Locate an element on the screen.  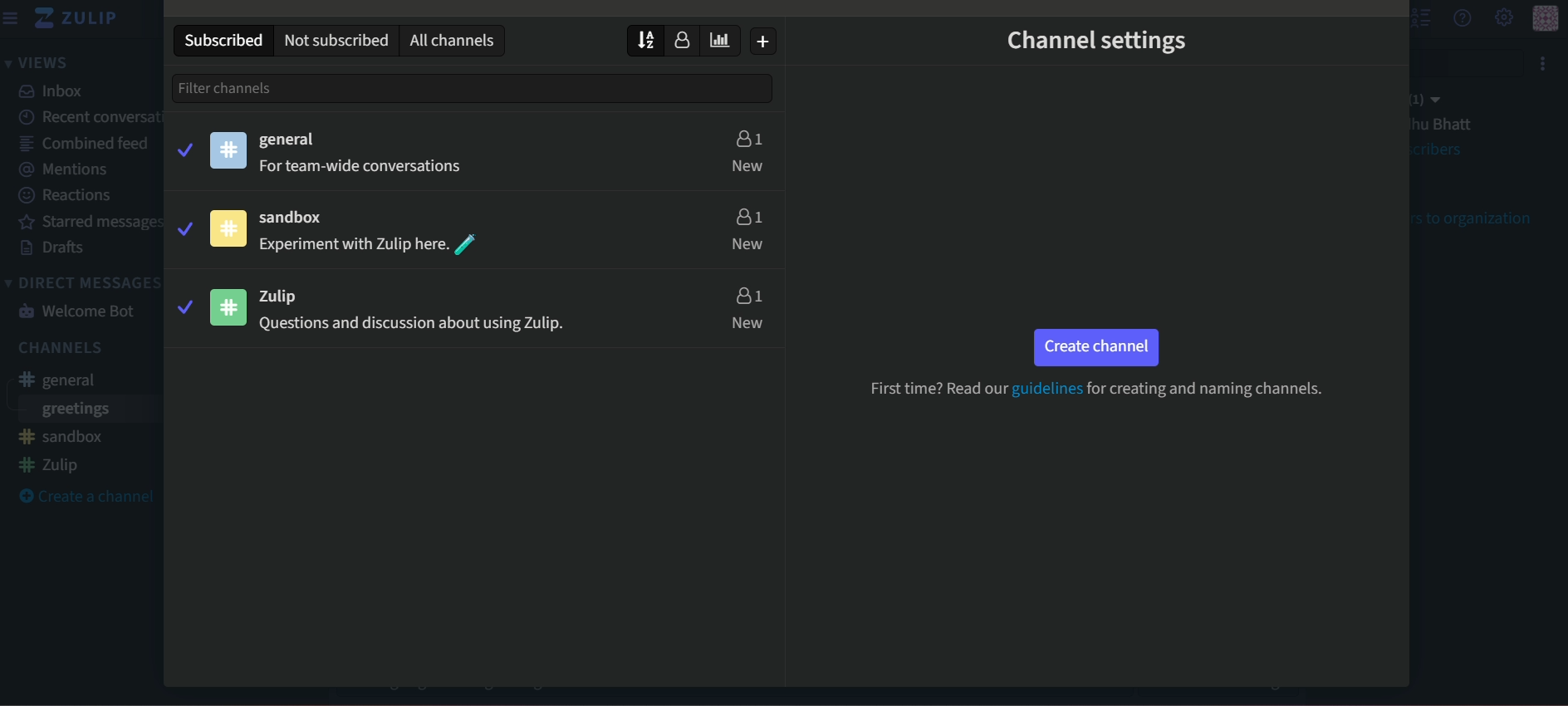
Reactions is located at coordinates (66, 196).